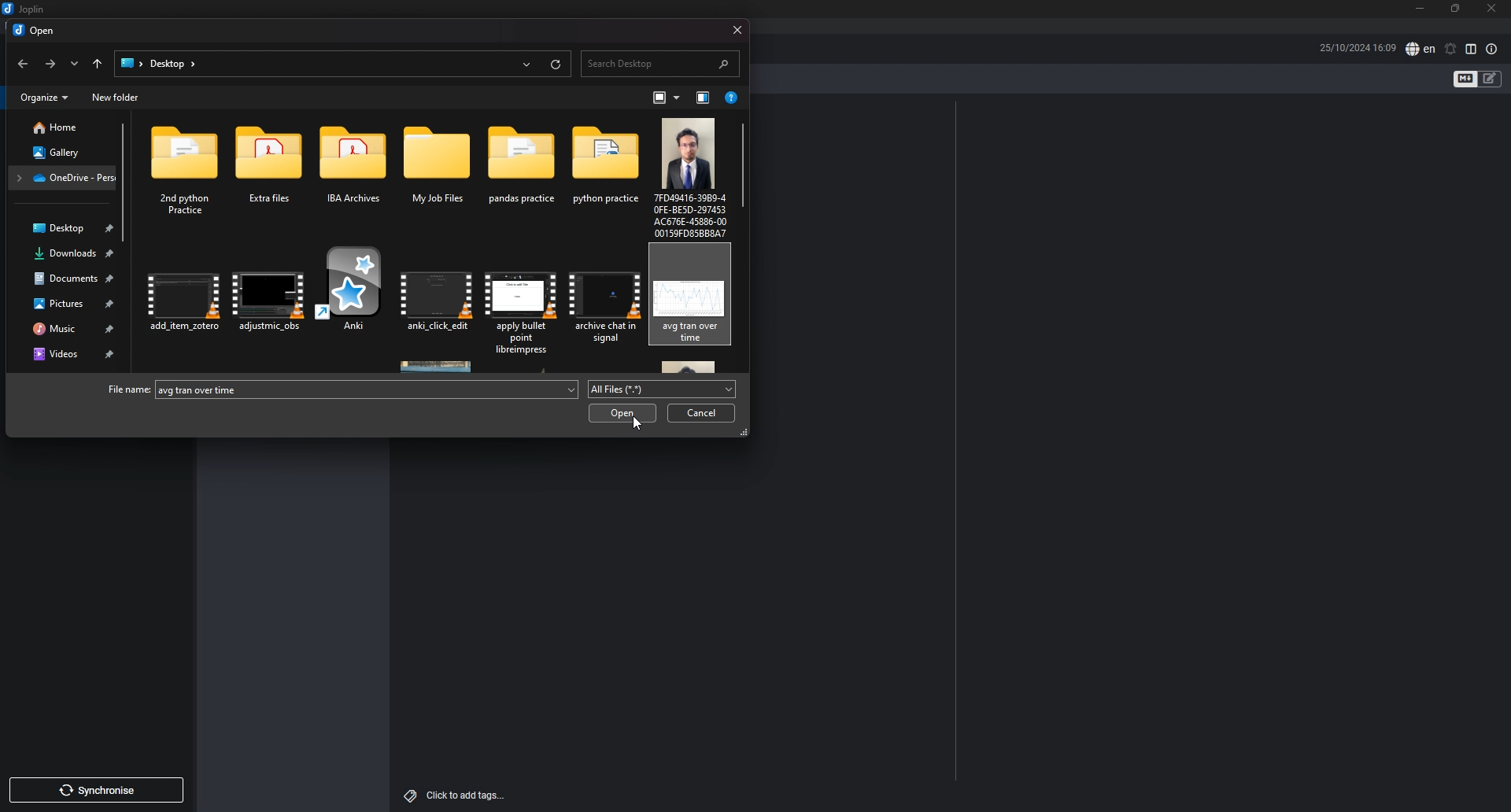 This screenshot has height=812, width=1511. What do you see at coordinates (272, 175) in the screenshot?
I see `Extra Files` at bounding box center [272, 175].